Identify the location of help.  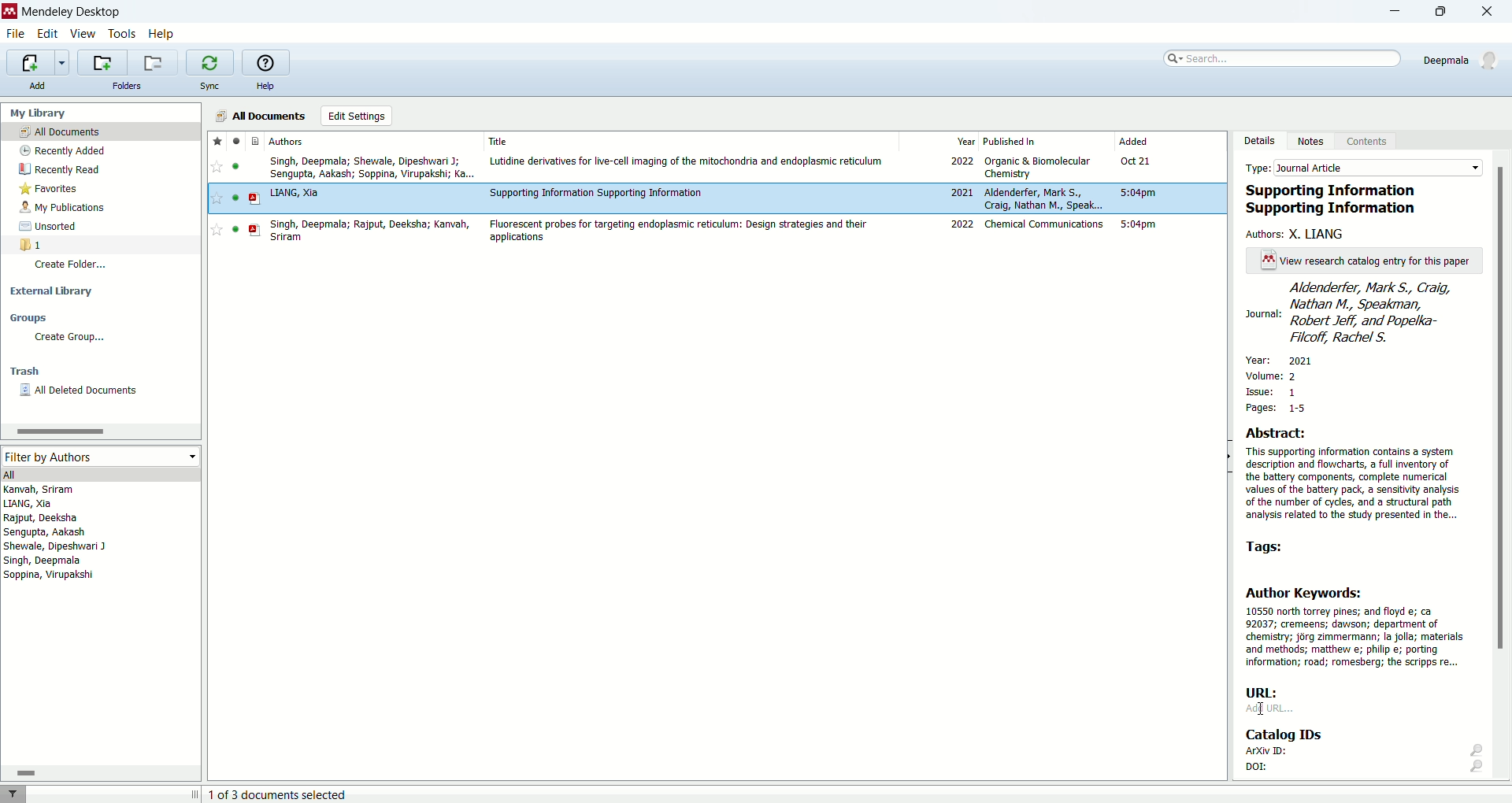
(265, 85).